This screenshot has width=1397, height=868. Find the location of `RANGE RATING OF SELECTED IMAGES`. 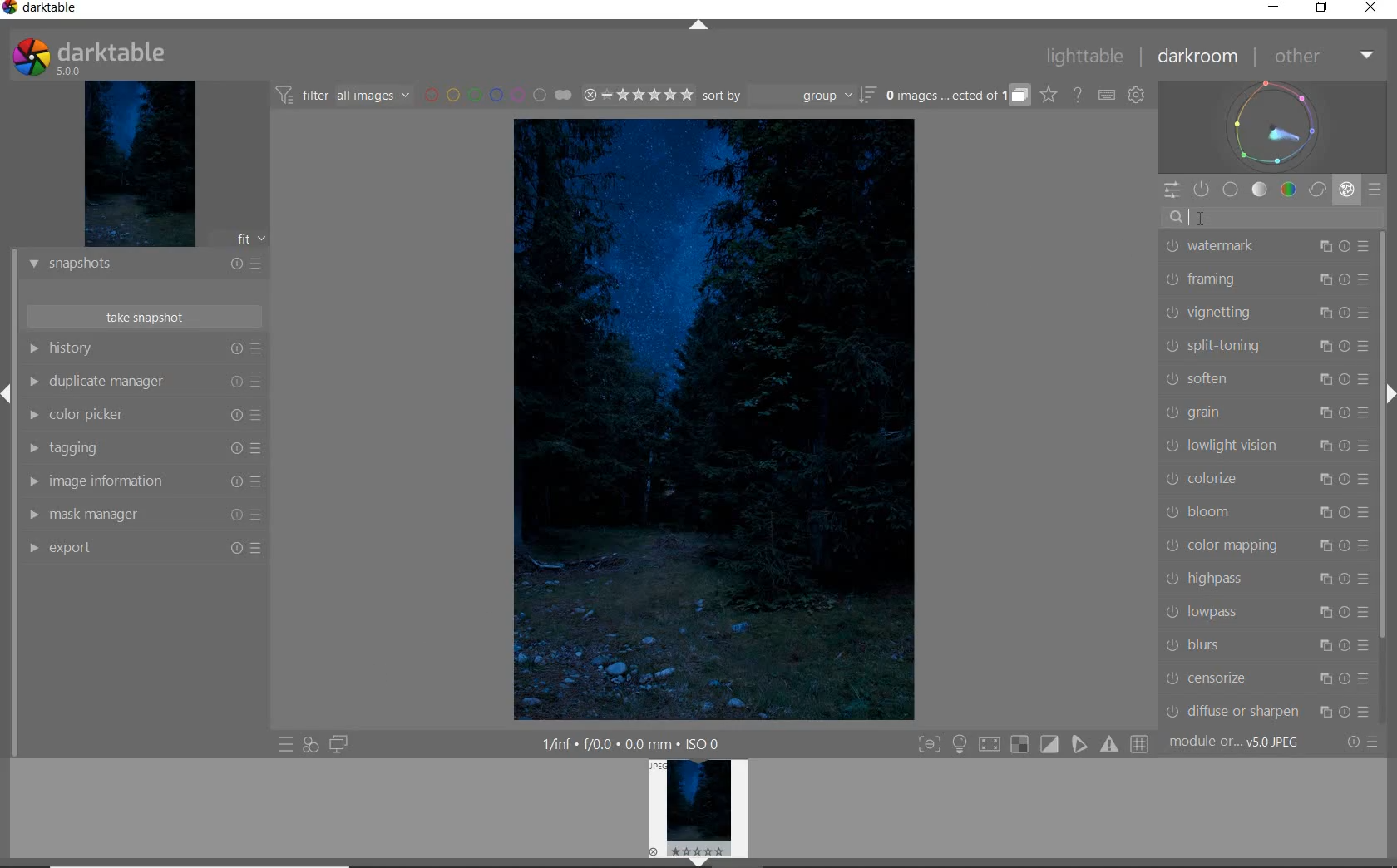

RANGE RATING OF SELECTED IMAGES is located at coordinates (638, 95).